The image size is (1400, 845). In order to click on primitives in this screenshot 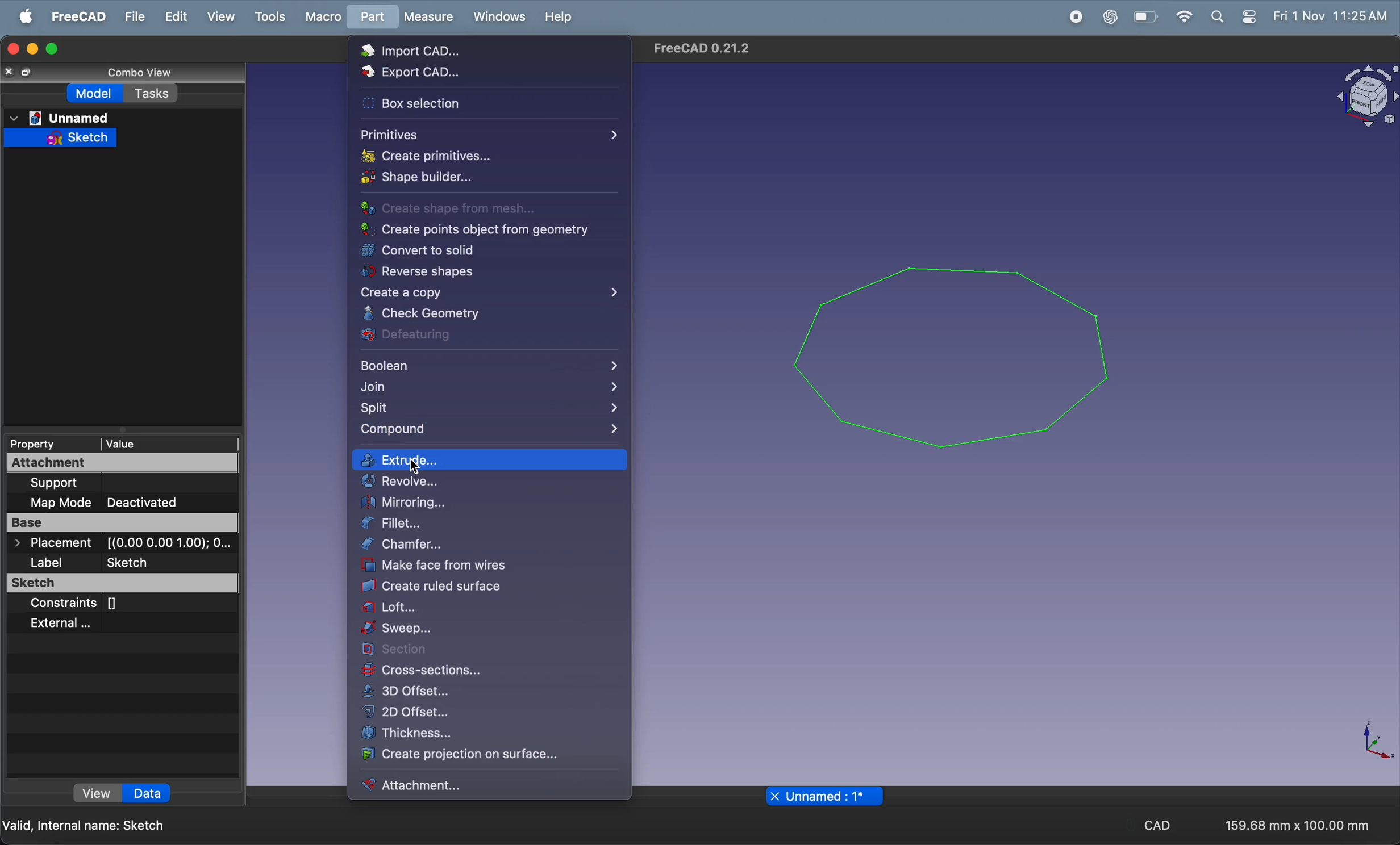, I will do `click(486, 134)`.